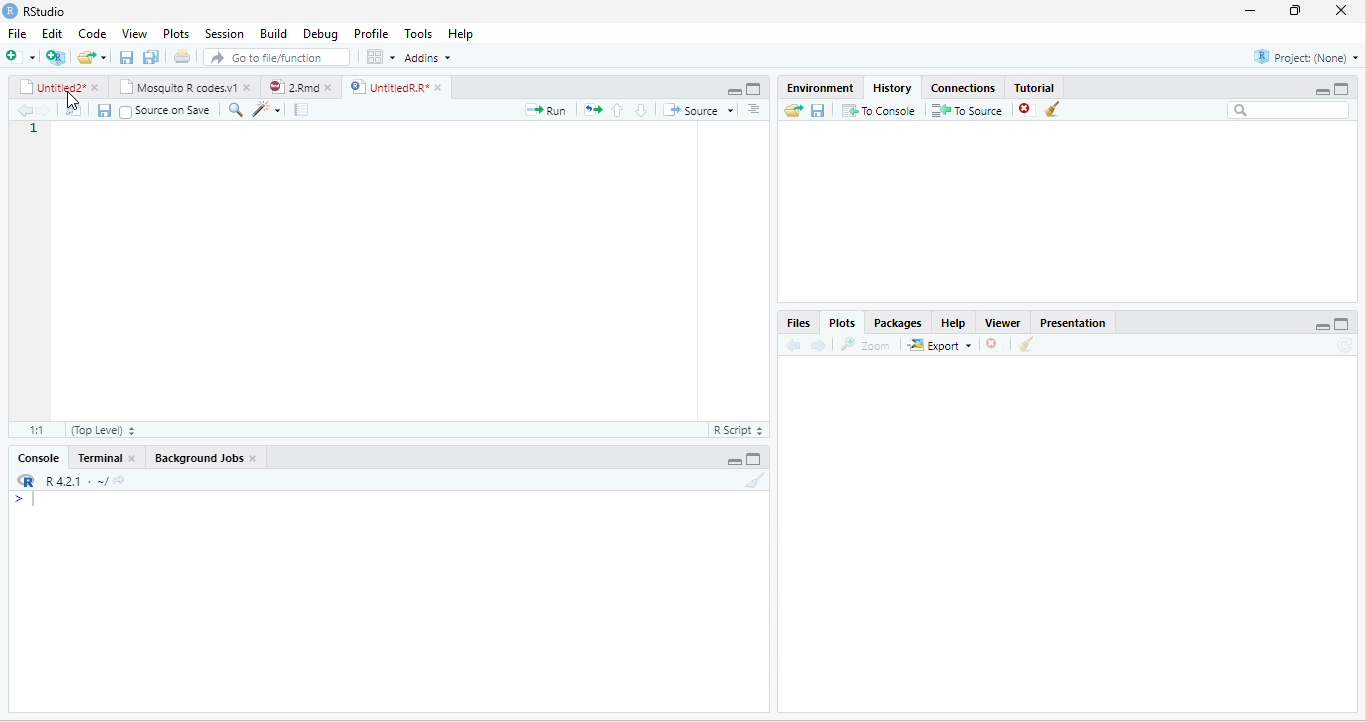  What do you see at coordinates (593, 109) in the screenshot?
I see `arrows` at bounding box center [593, 109].